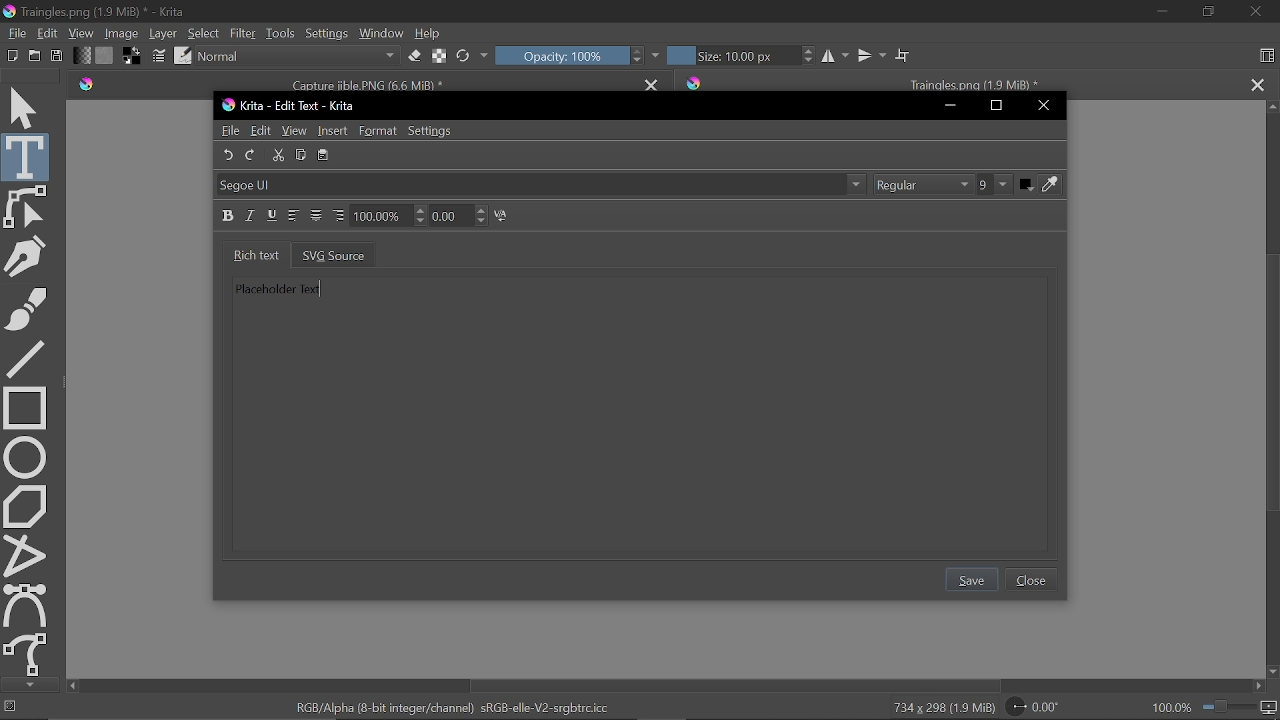 This screenshot has width=1280, height=720. Describe the element at coordinates (278, 33) in the screenshot. I see `tools` at that location.